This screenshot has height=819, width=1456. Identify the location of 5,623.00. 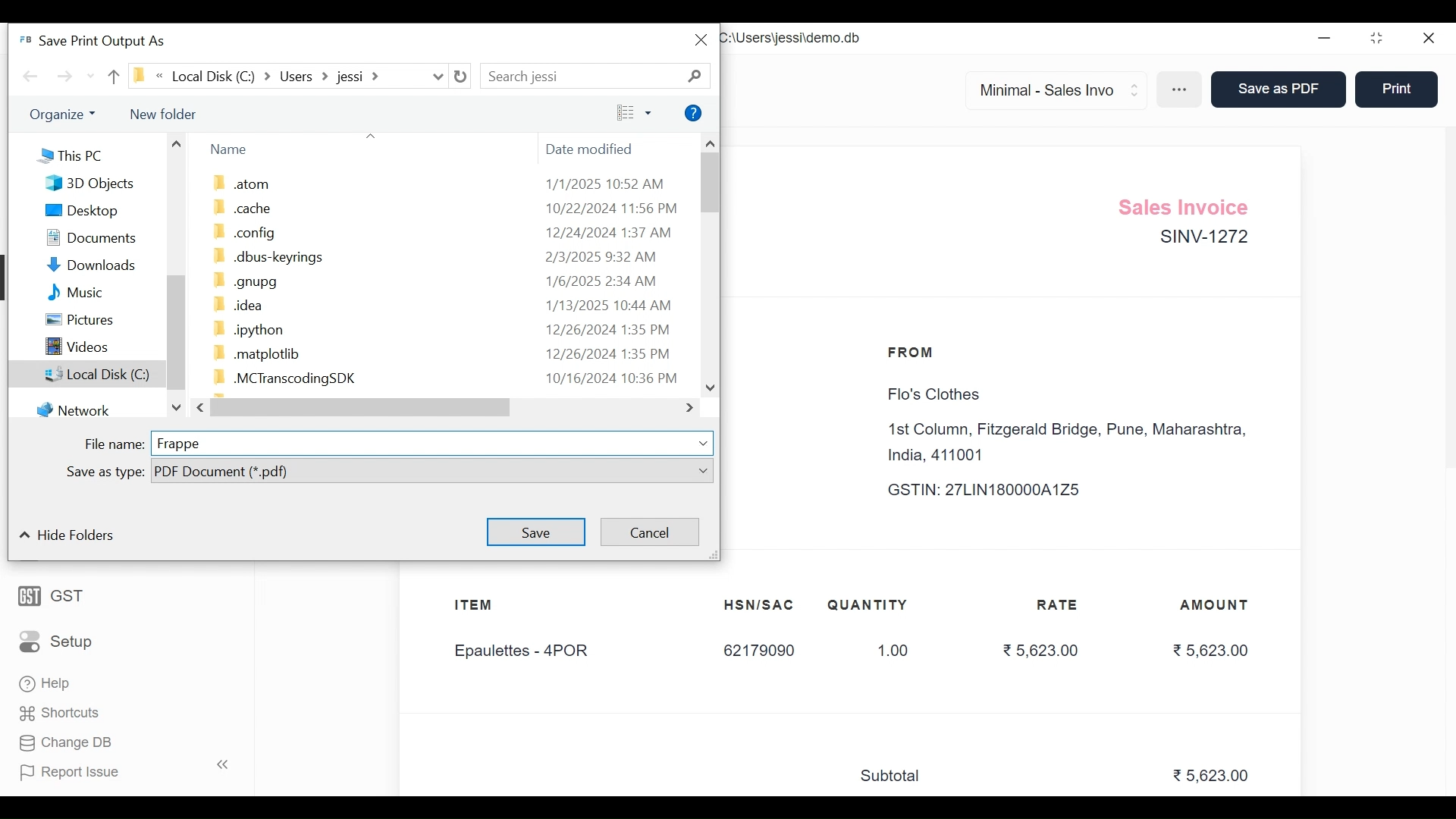
(1039, 649).